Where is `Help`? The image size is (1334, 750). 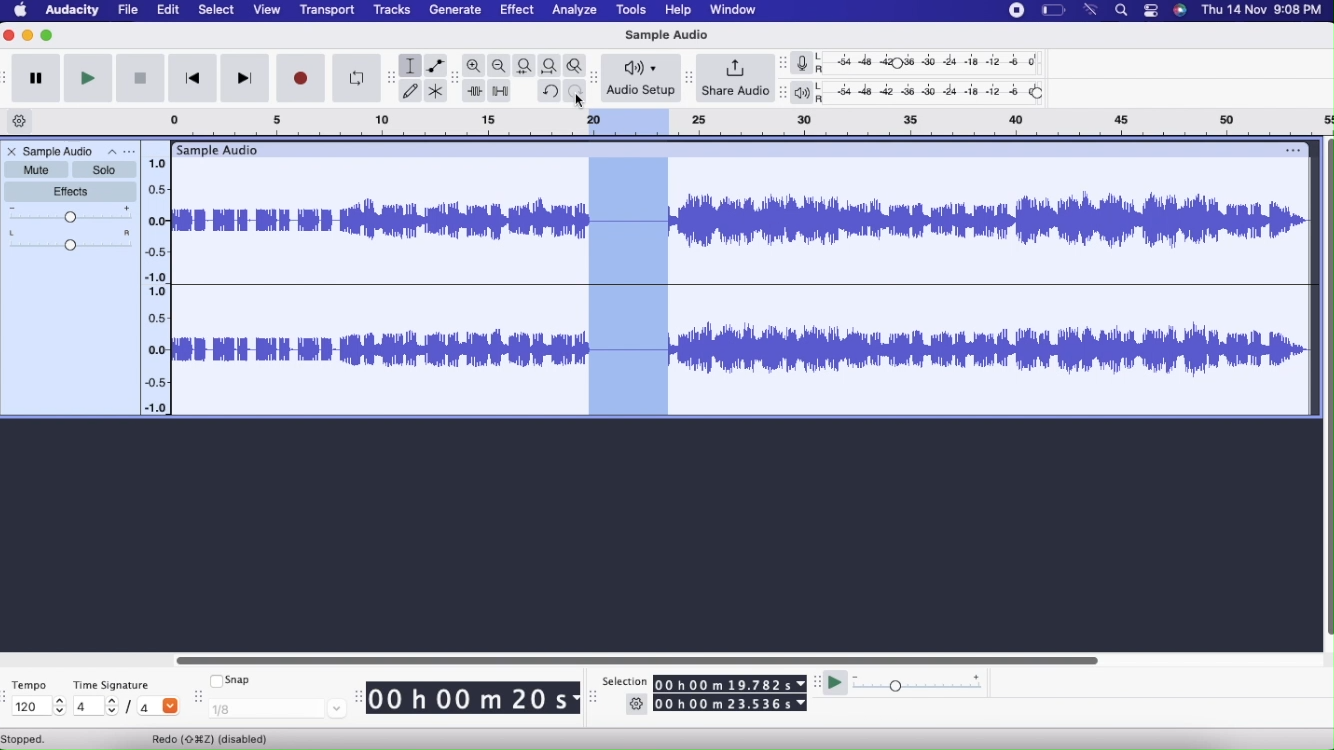
Help is located at coordinates (681, 10).